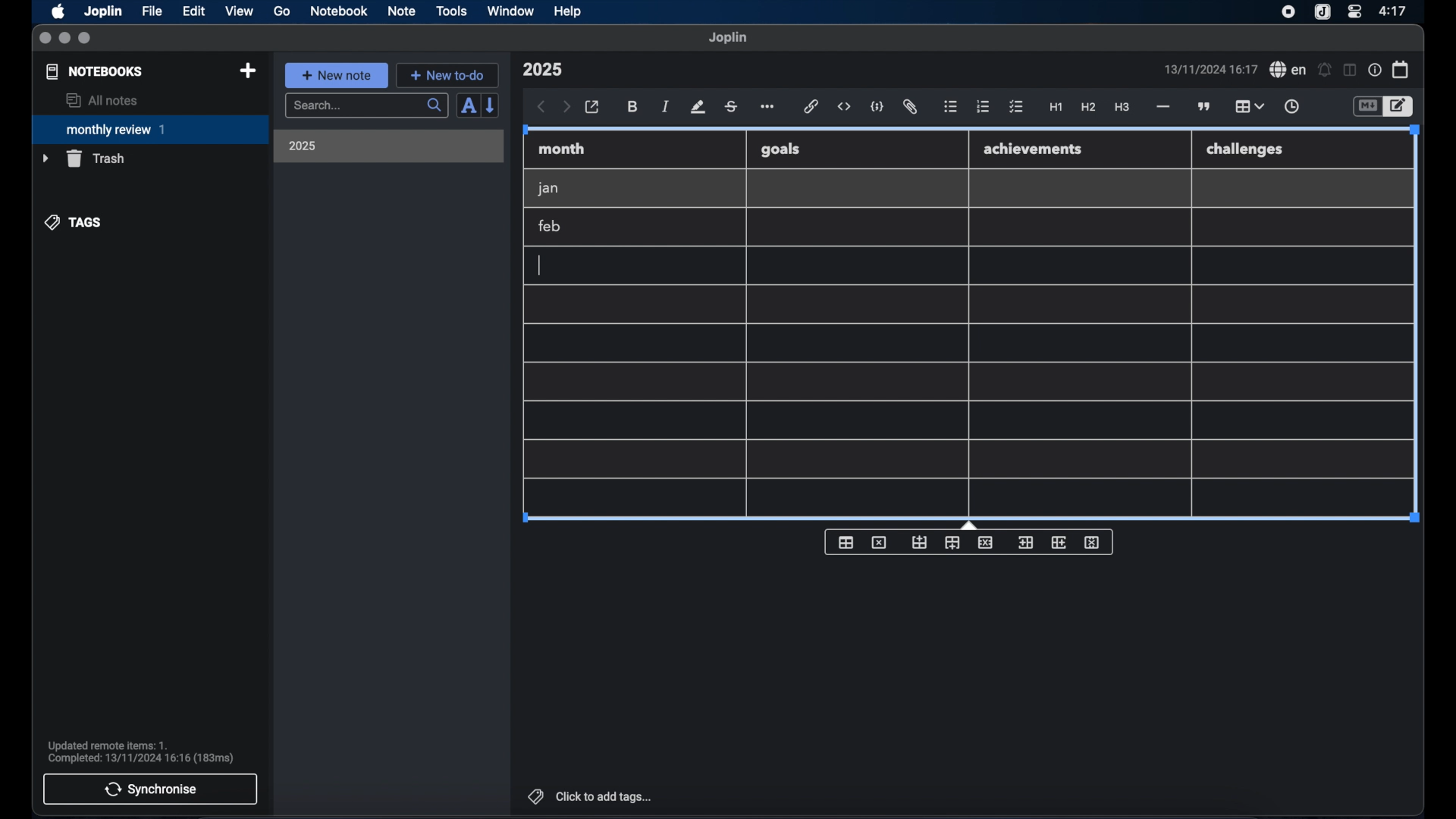 This screenshot has width=1456, height=819. Describe the element at coordinates (1351, 70) in the screenshot. I see `toggle editor layout` at that location.